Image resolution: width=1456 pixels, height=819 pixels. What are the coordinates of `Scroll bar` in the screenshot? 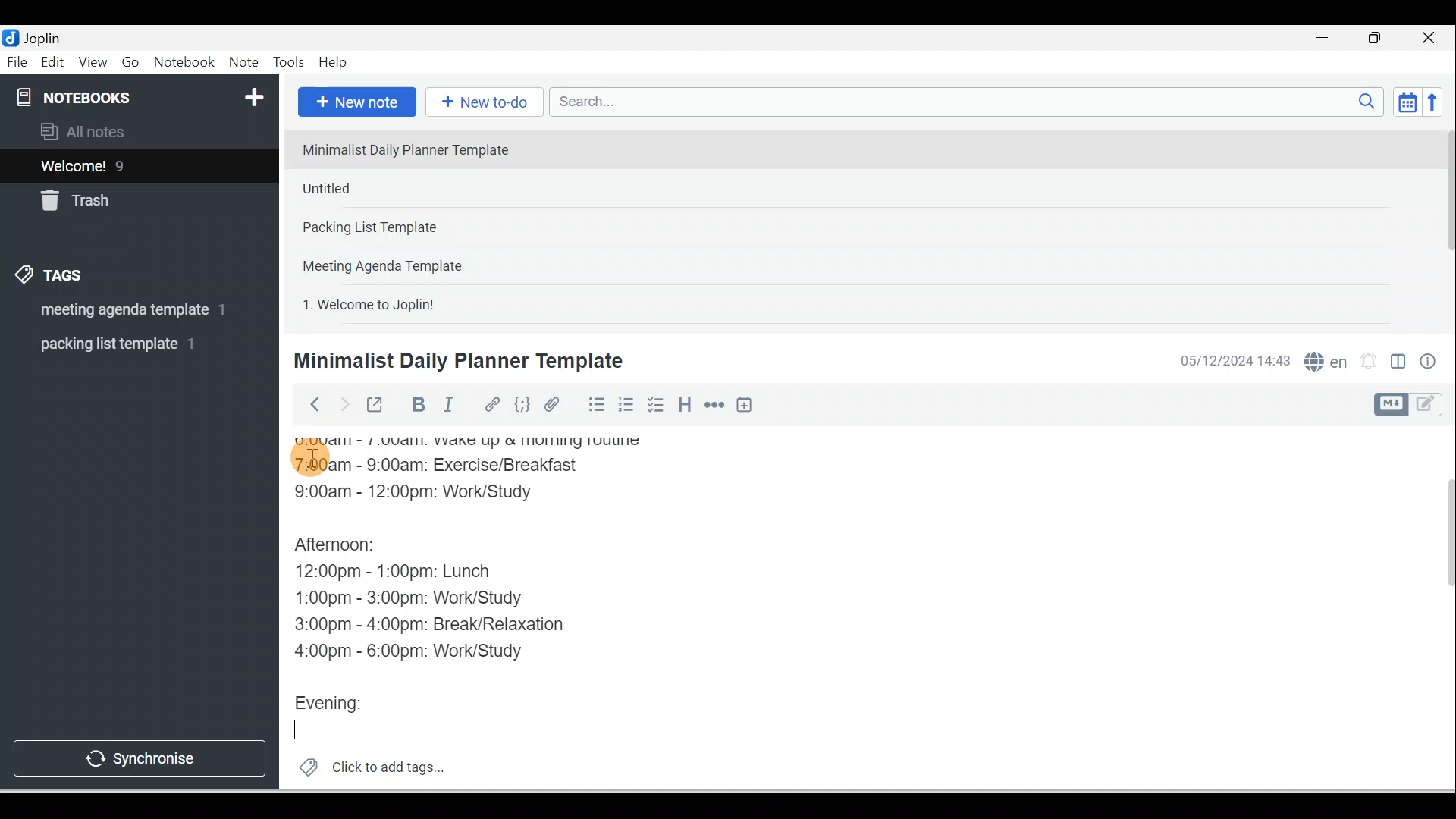 It's located at (1444, 224).